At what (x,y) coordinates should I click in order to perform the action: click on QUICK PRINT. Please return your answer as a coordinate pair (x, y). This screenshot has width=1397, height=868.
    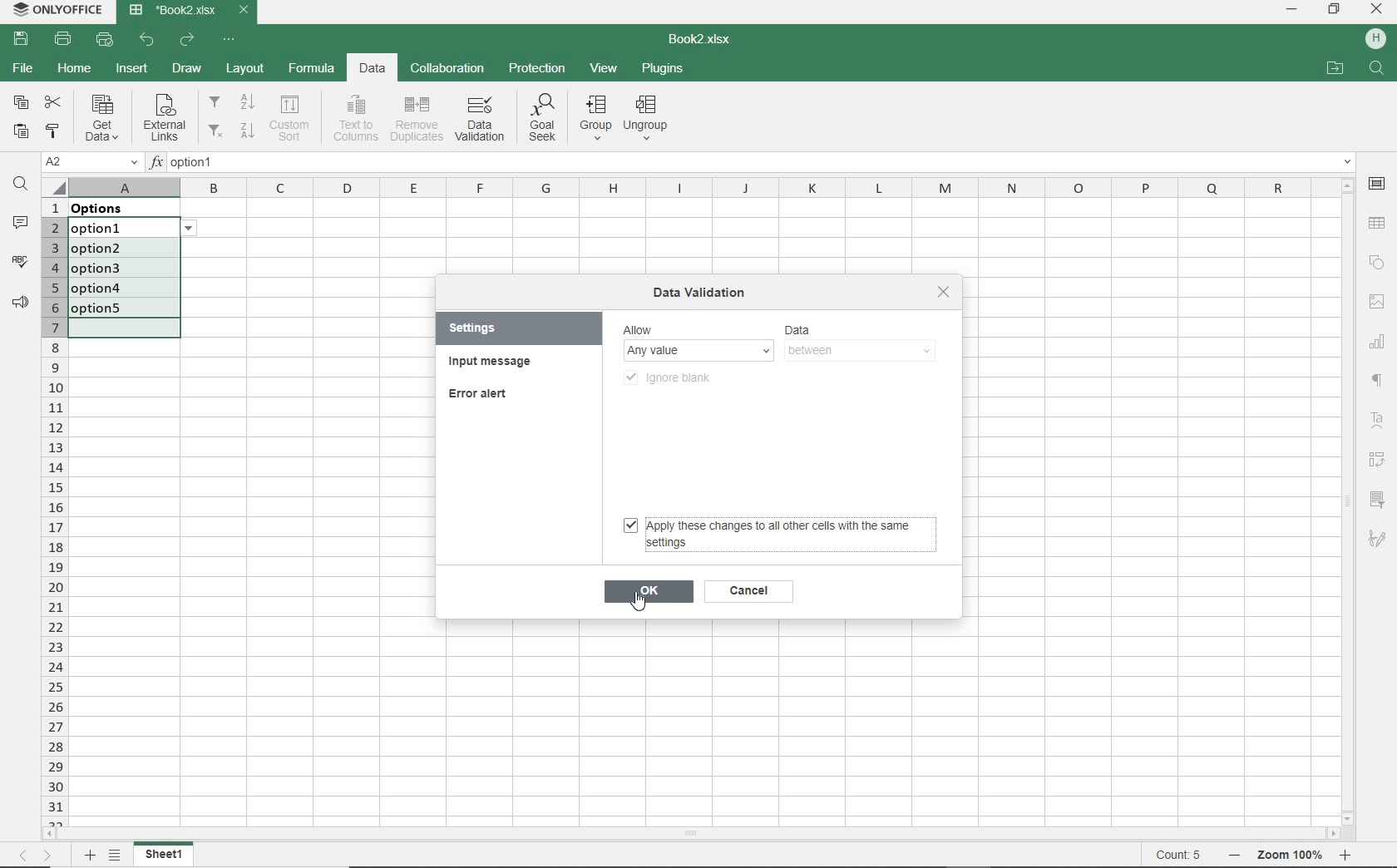
    Looking at the image, I should click on (105, 40).